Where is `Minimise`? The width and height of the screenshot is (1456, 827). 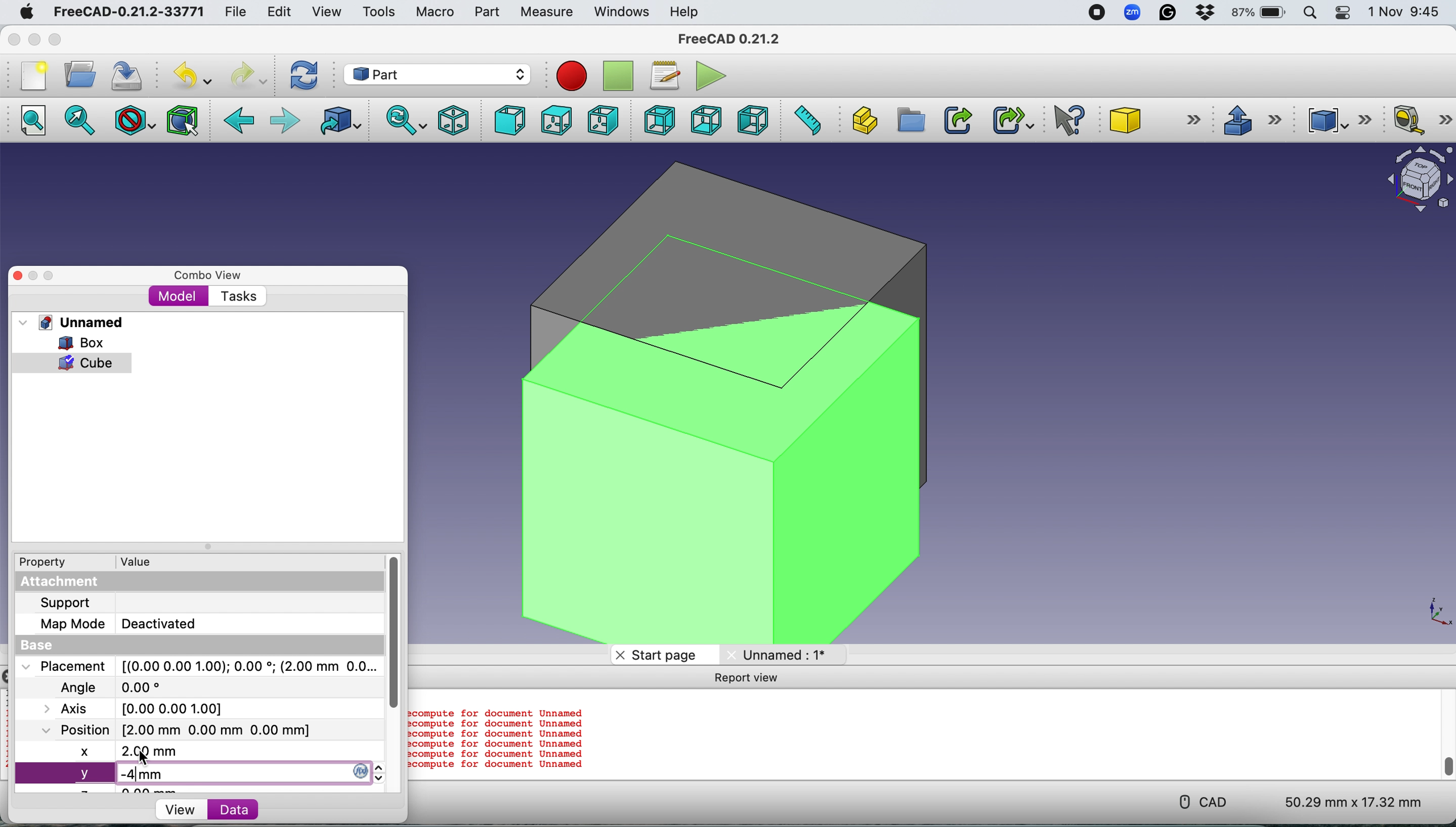
Minimise is located at coordinates (34, 276).